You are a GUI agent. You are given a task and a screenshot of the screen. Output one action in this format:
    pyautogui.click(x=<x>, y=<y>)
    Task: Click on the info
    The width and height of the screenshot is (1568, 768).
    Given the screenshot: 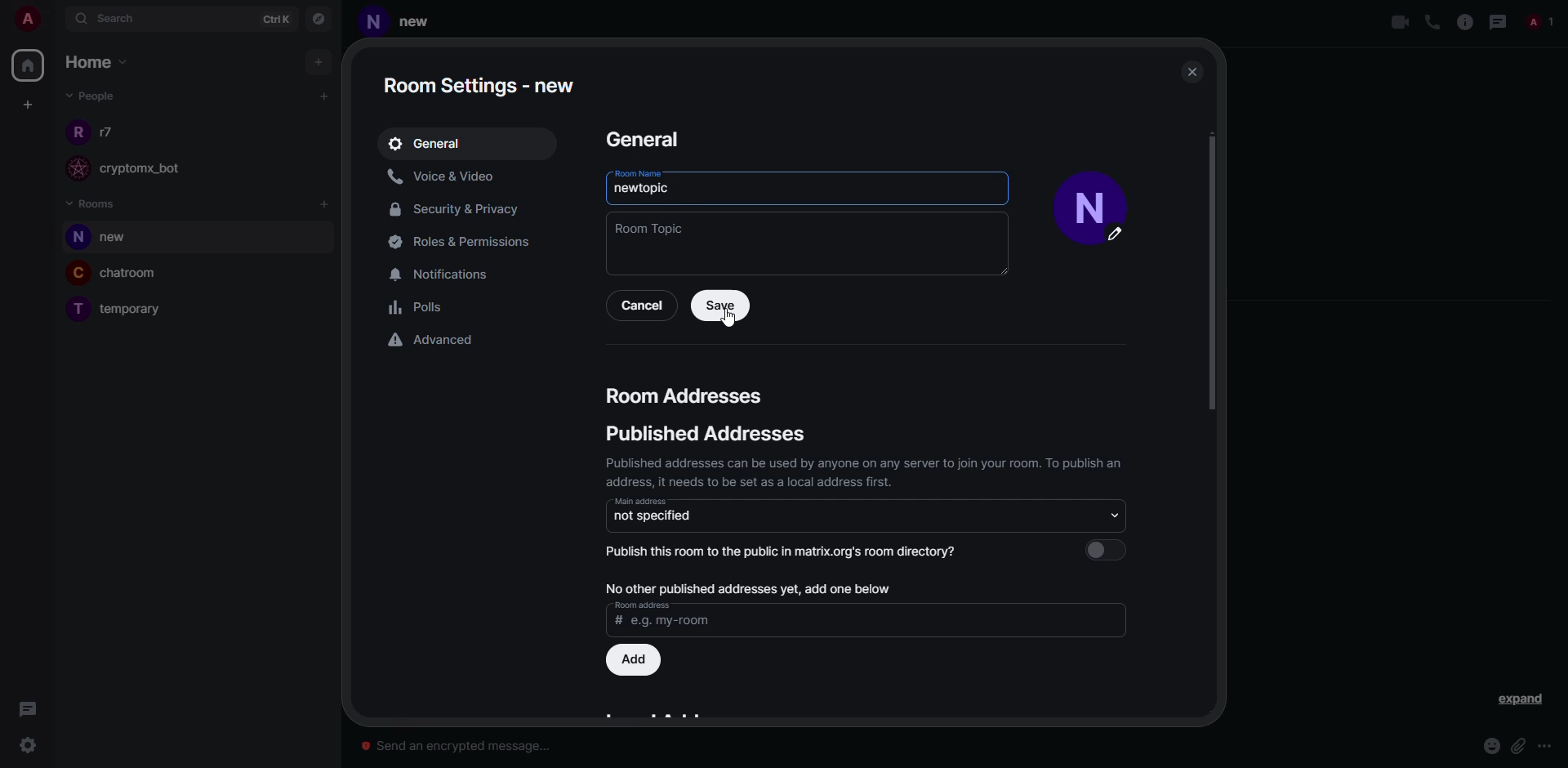 What is the action you would take?
    pyautogui.click(x=866, y=471)
    